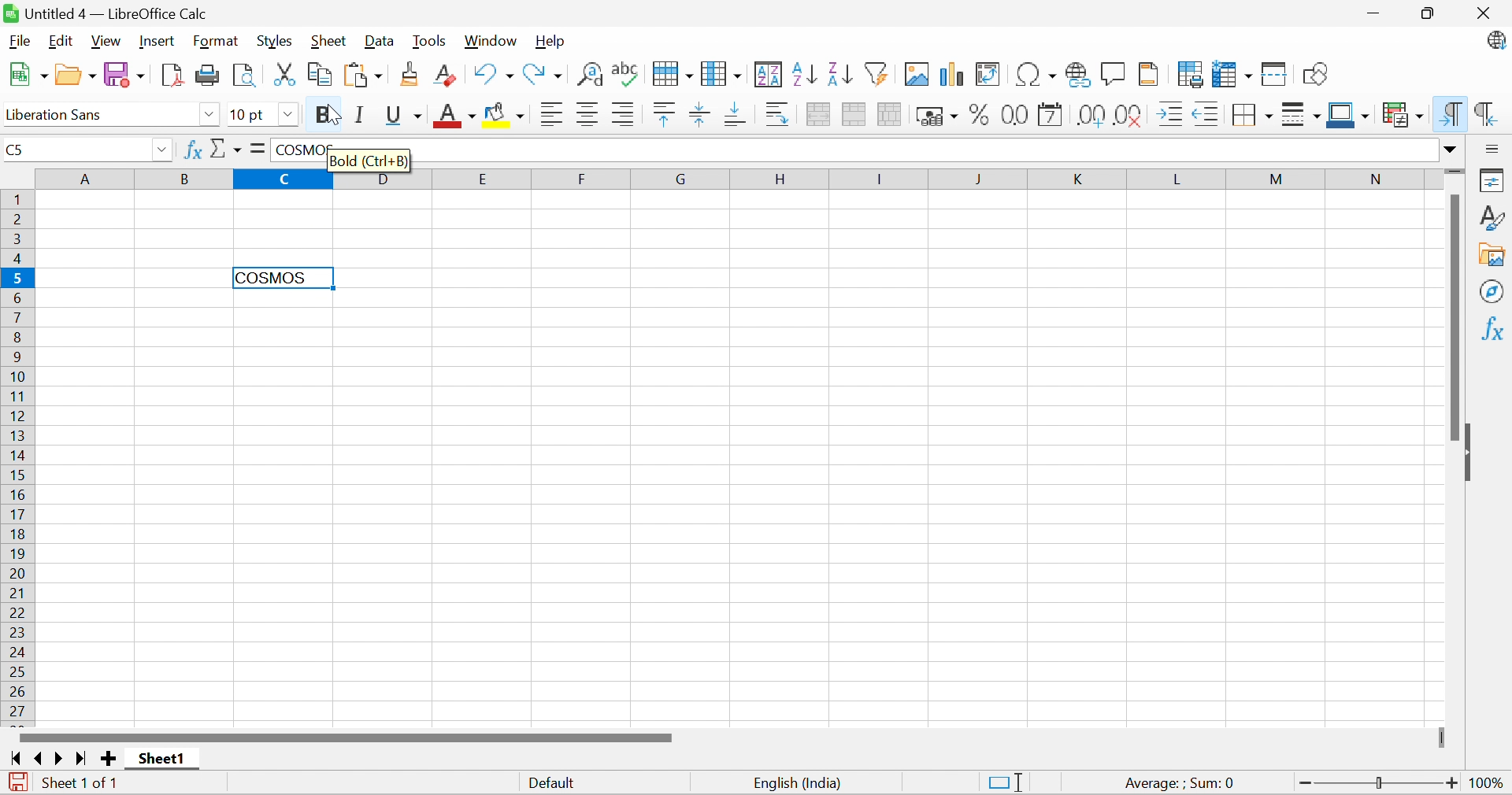 The image size is (1512, 795). Describe the element at coordinates (125, 74) in the screenshot. I see `Save` at that location.